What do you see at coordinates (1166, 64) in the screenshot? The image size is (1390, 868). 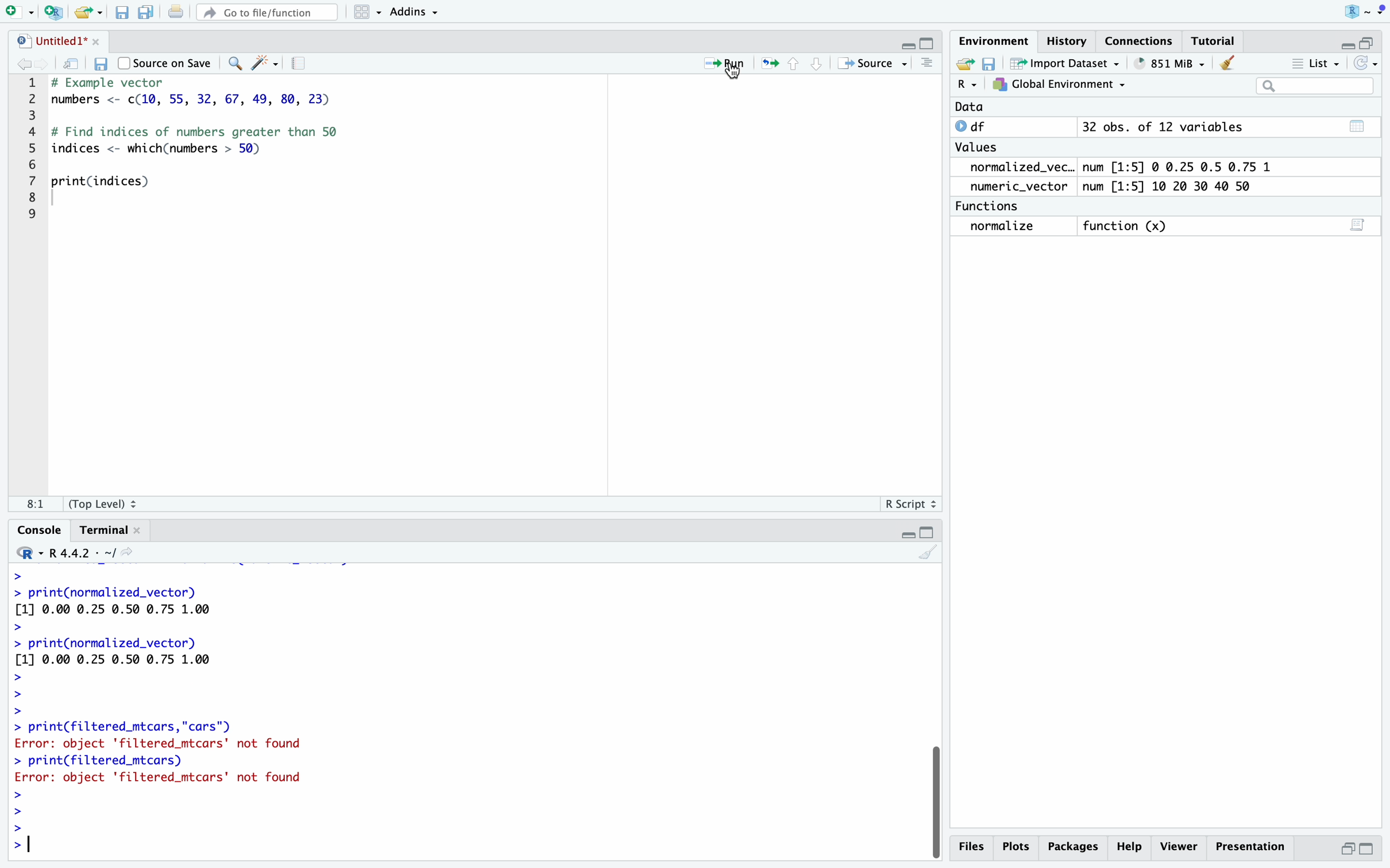 I see ` 284 MiB ` at bounding box center [1166, 64].